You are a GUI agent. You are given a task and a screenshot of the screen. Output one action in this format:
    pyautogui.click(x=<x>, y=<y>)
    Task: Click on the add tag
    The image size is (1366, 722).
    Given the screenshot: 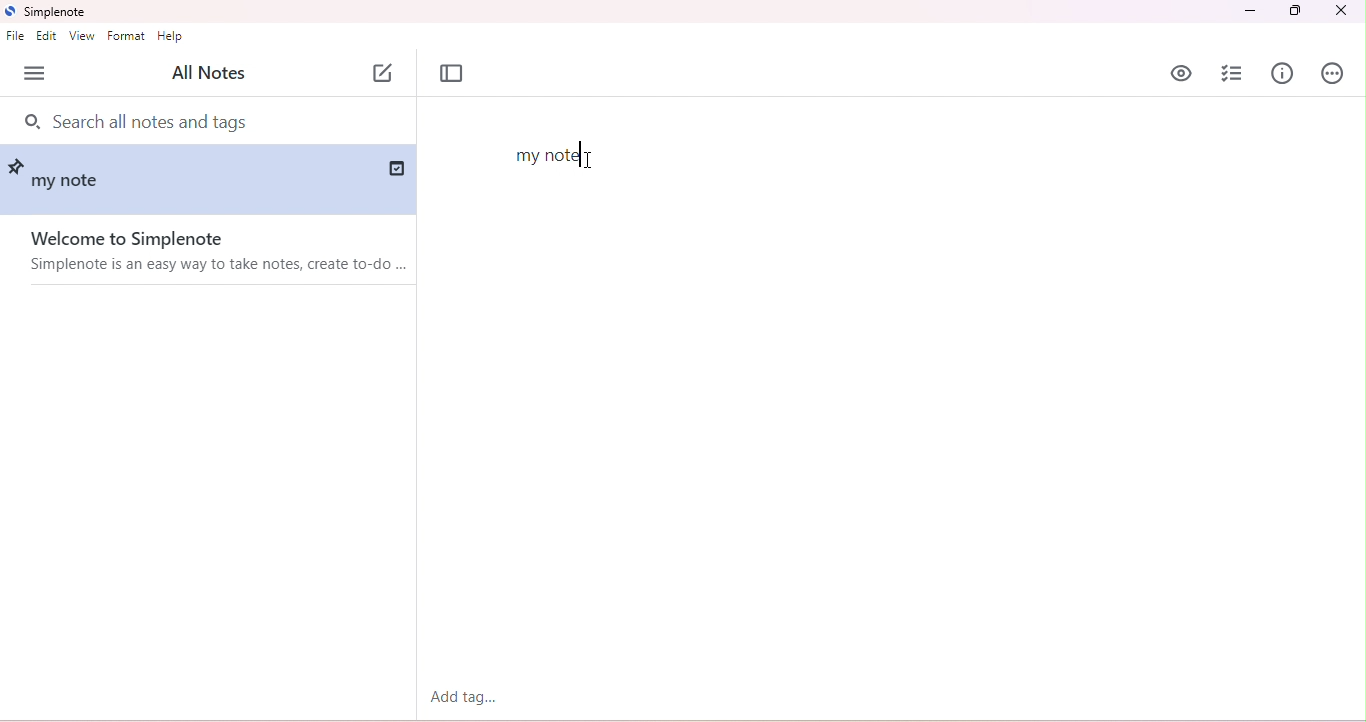 What is the action you would take?
    pyautogui.click(x=463, y=697)
    